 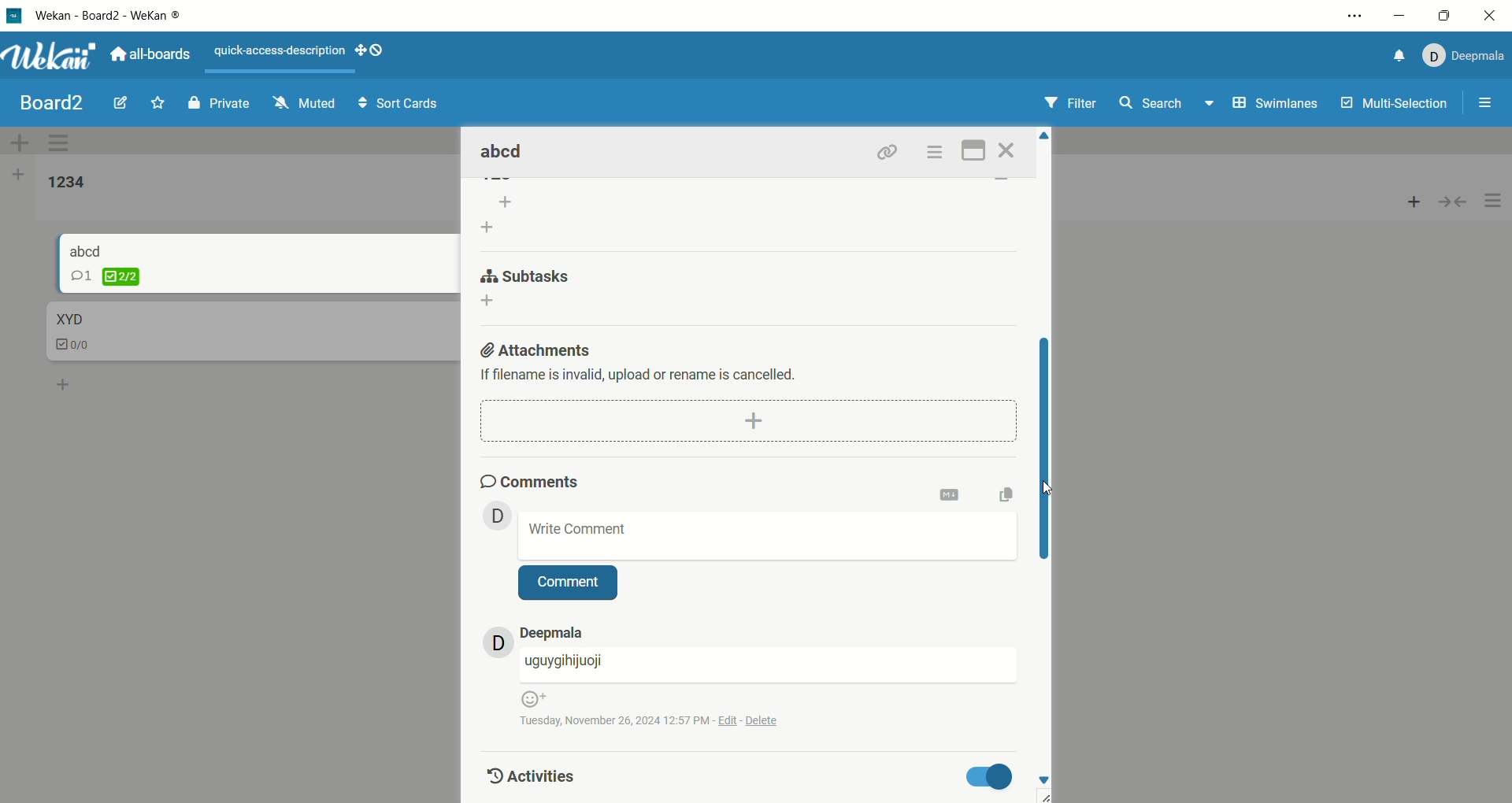 I want to click on emoji, so click(x=532, y=698).